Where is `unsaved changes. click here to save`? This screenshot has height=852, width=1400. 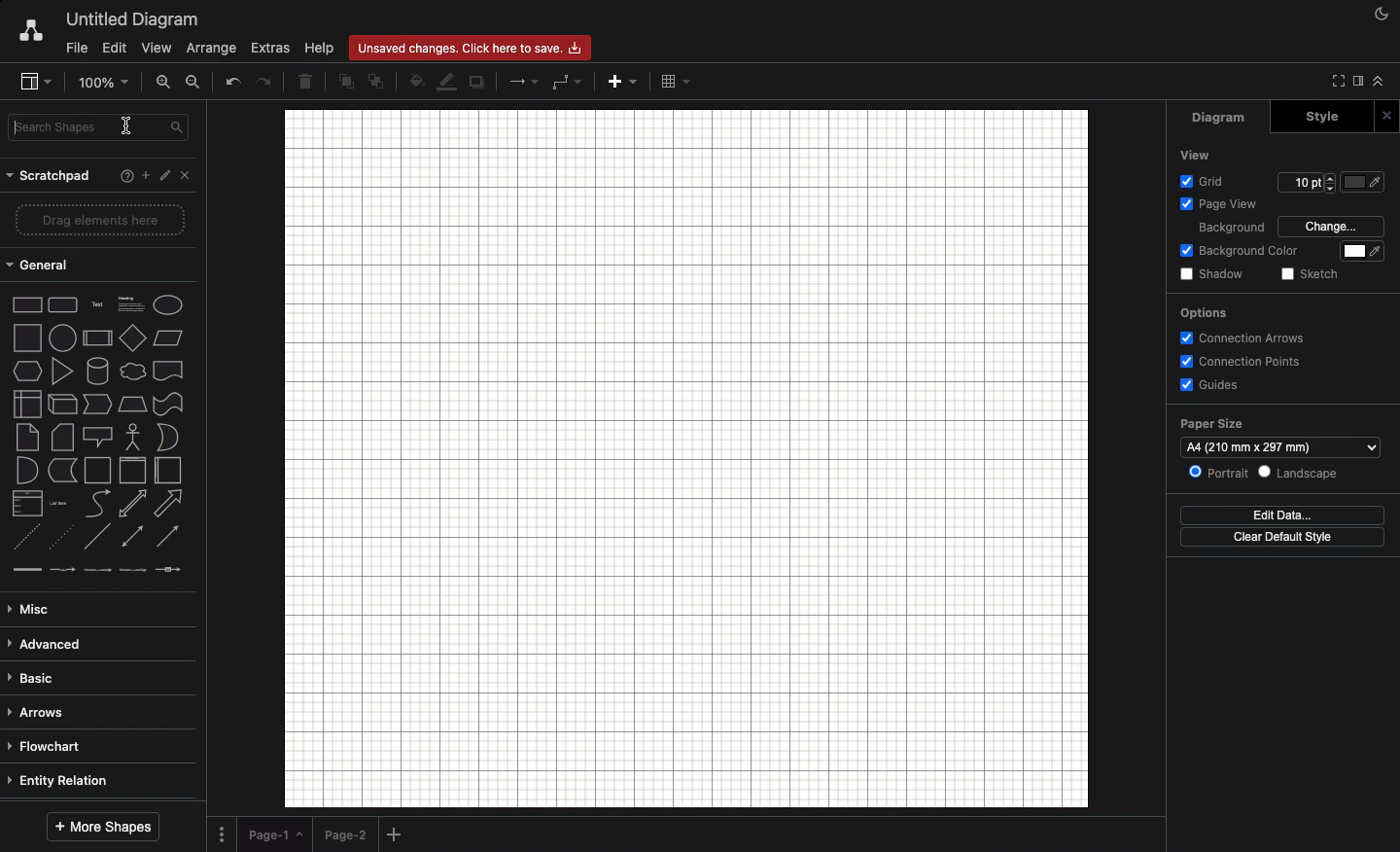 unsaved changes. click here to save is located at coordinates (468, 46).